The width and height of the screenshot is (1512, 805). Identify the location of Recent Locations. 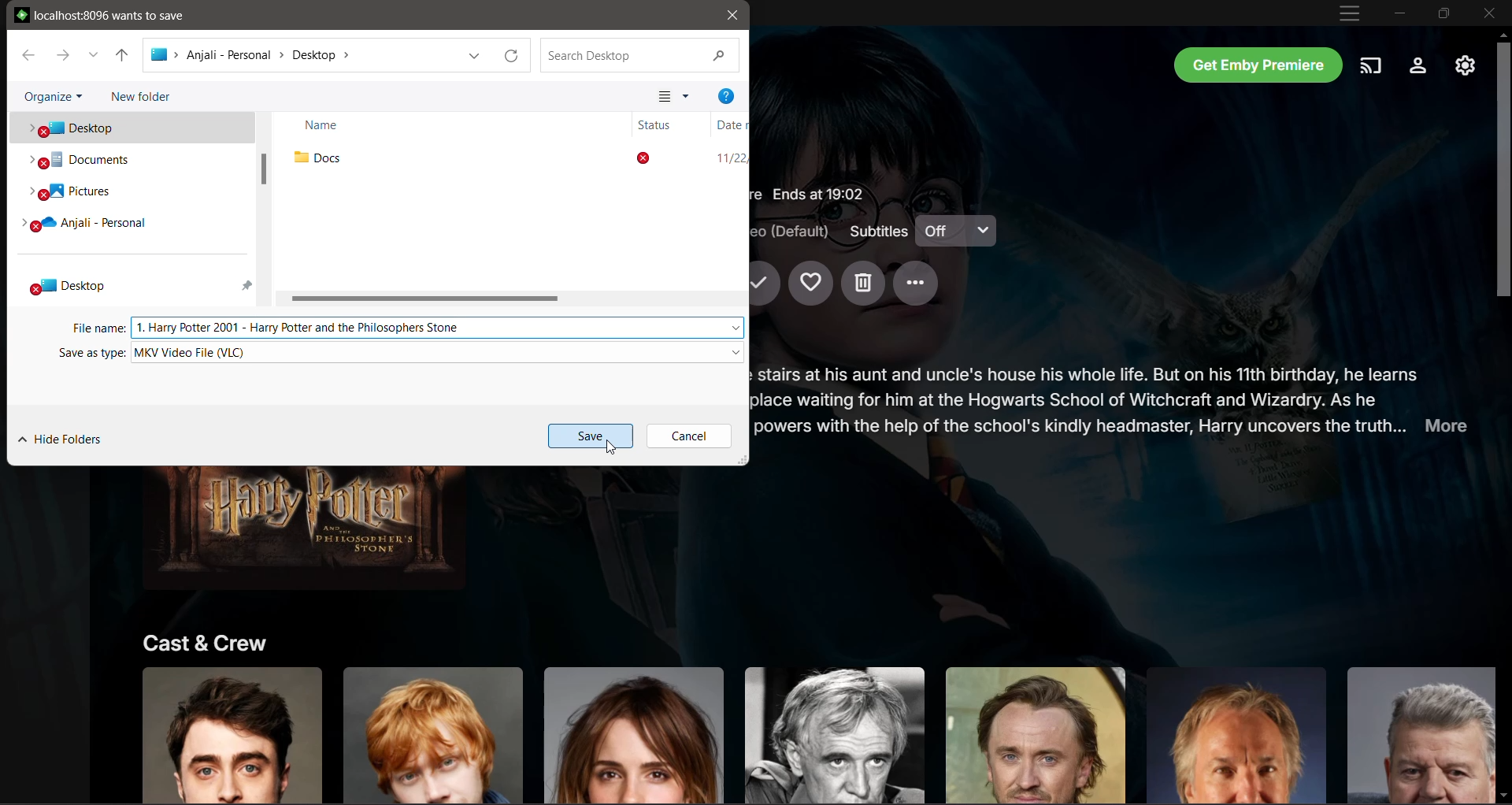
(92, 54).